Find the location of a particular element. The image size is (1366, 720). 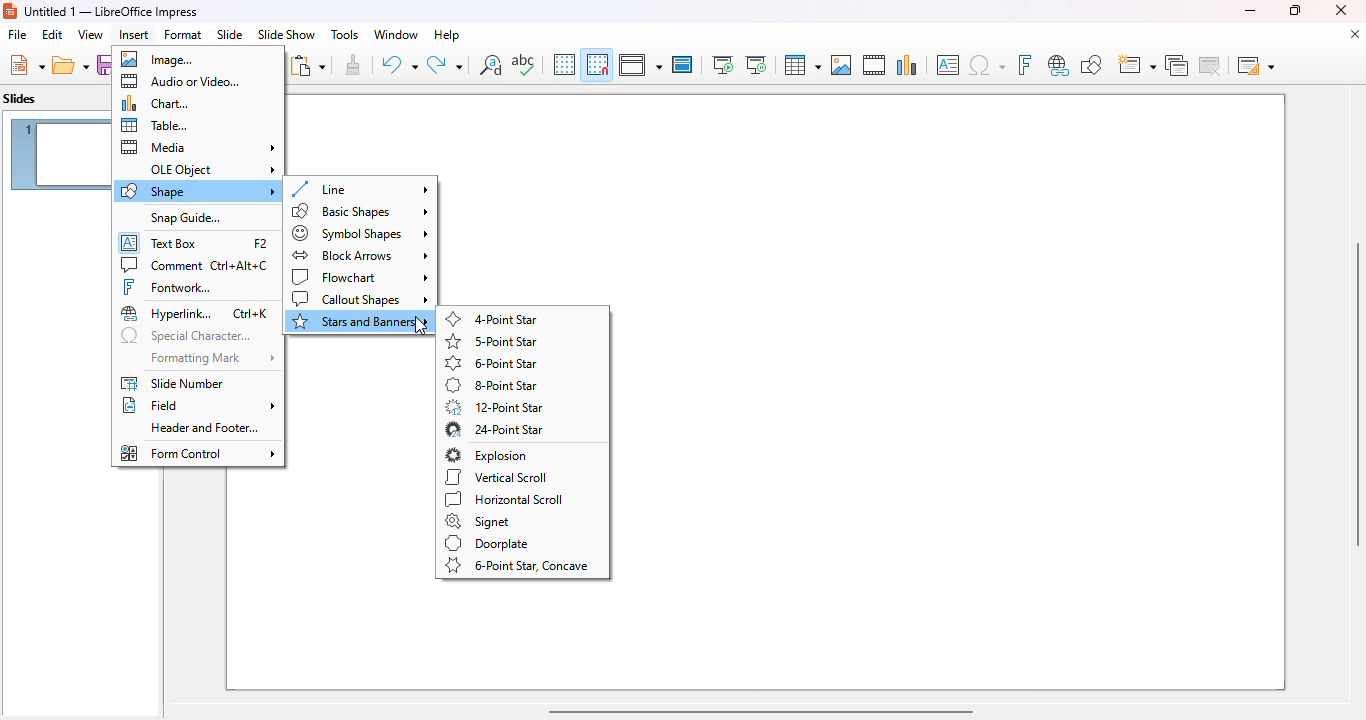

save is located at coordinates (103, 65).